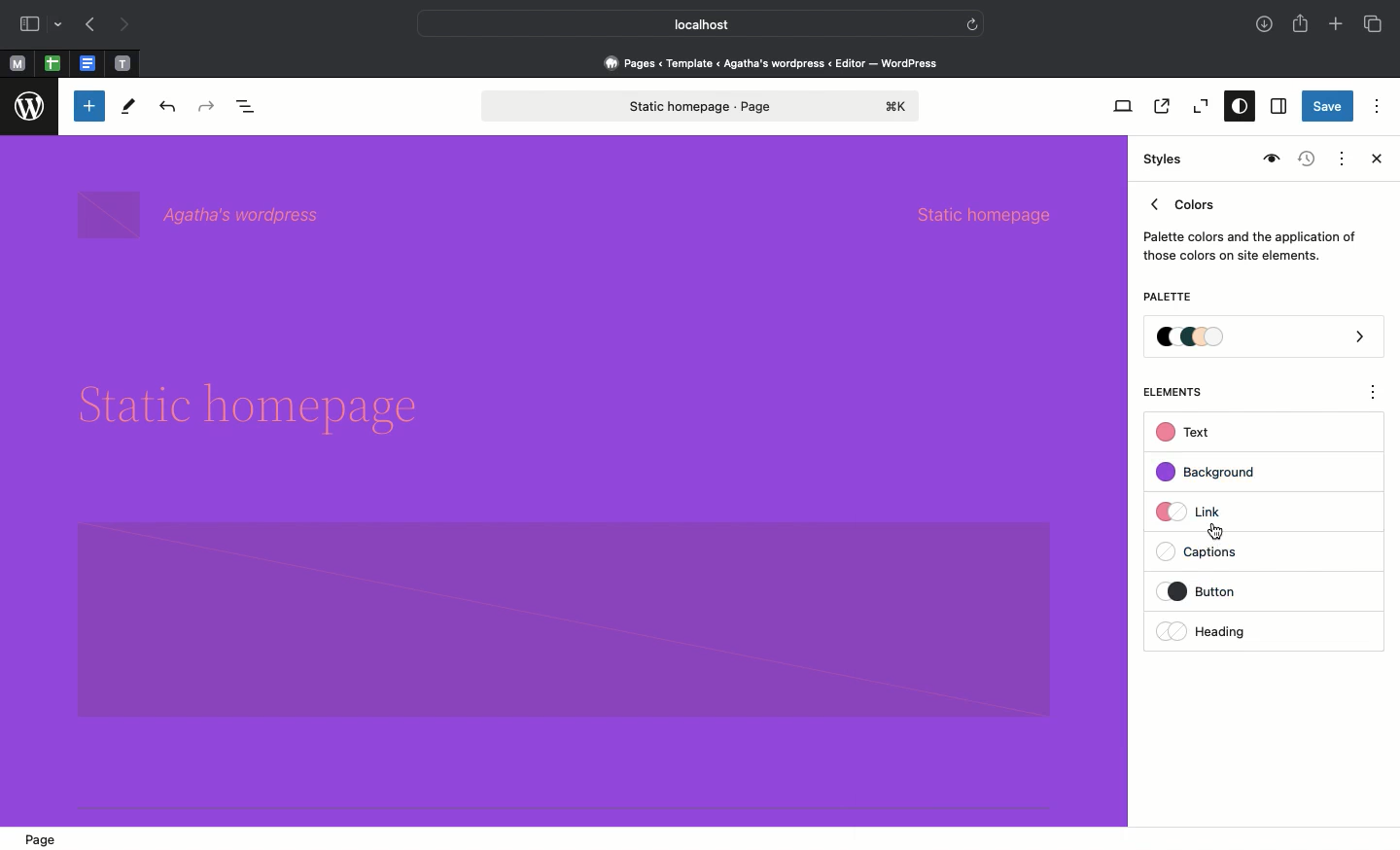 The height and width of the screenshot is (850, 1400). What do you see at coordinates (1302, 23) in the screenshot?
I see `Share` at bounding box center [1302, 23].